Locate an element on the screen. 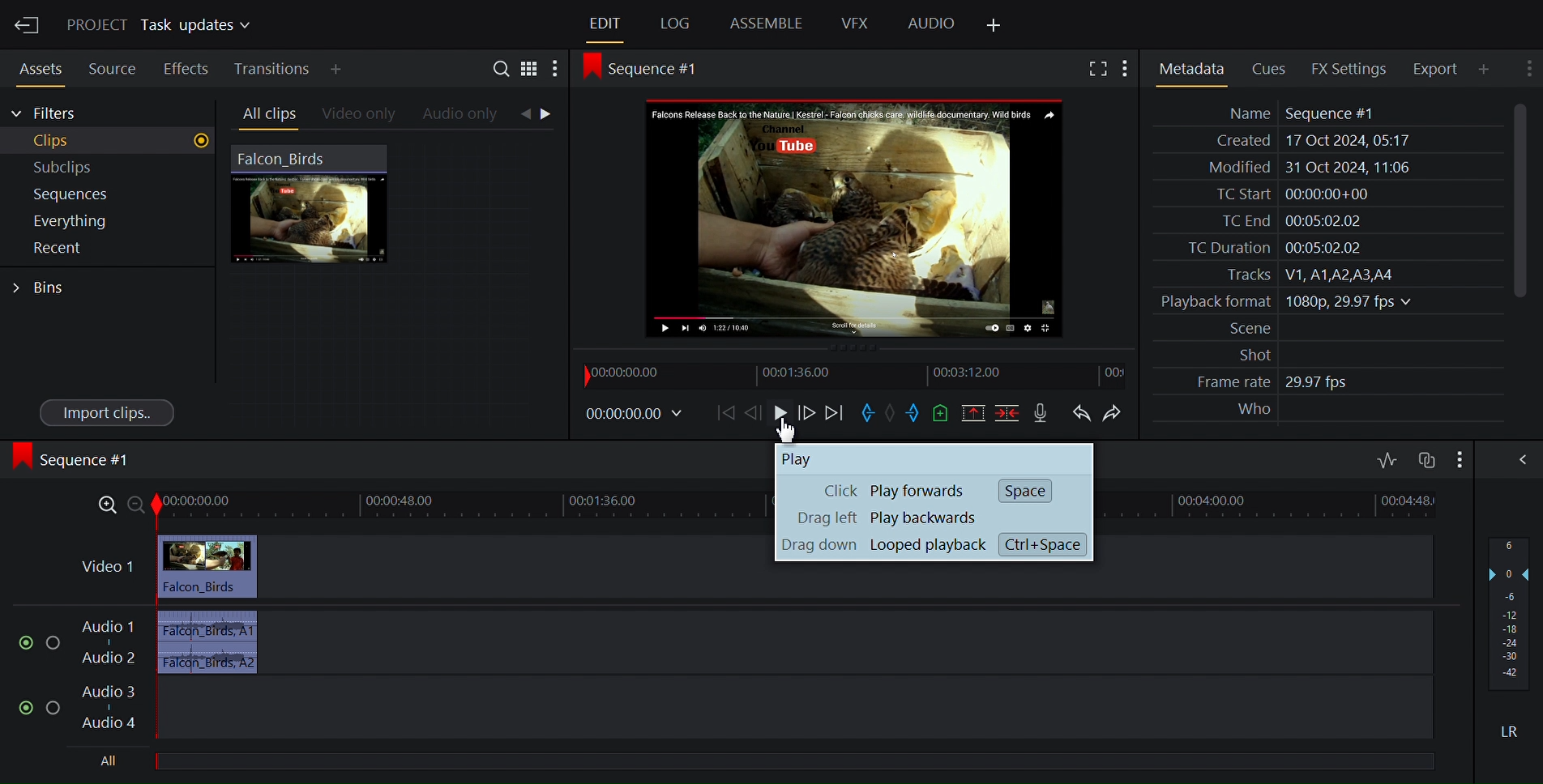 This screenshot has width=1543, height=784. Subclips is located at coordinates (104, 166).